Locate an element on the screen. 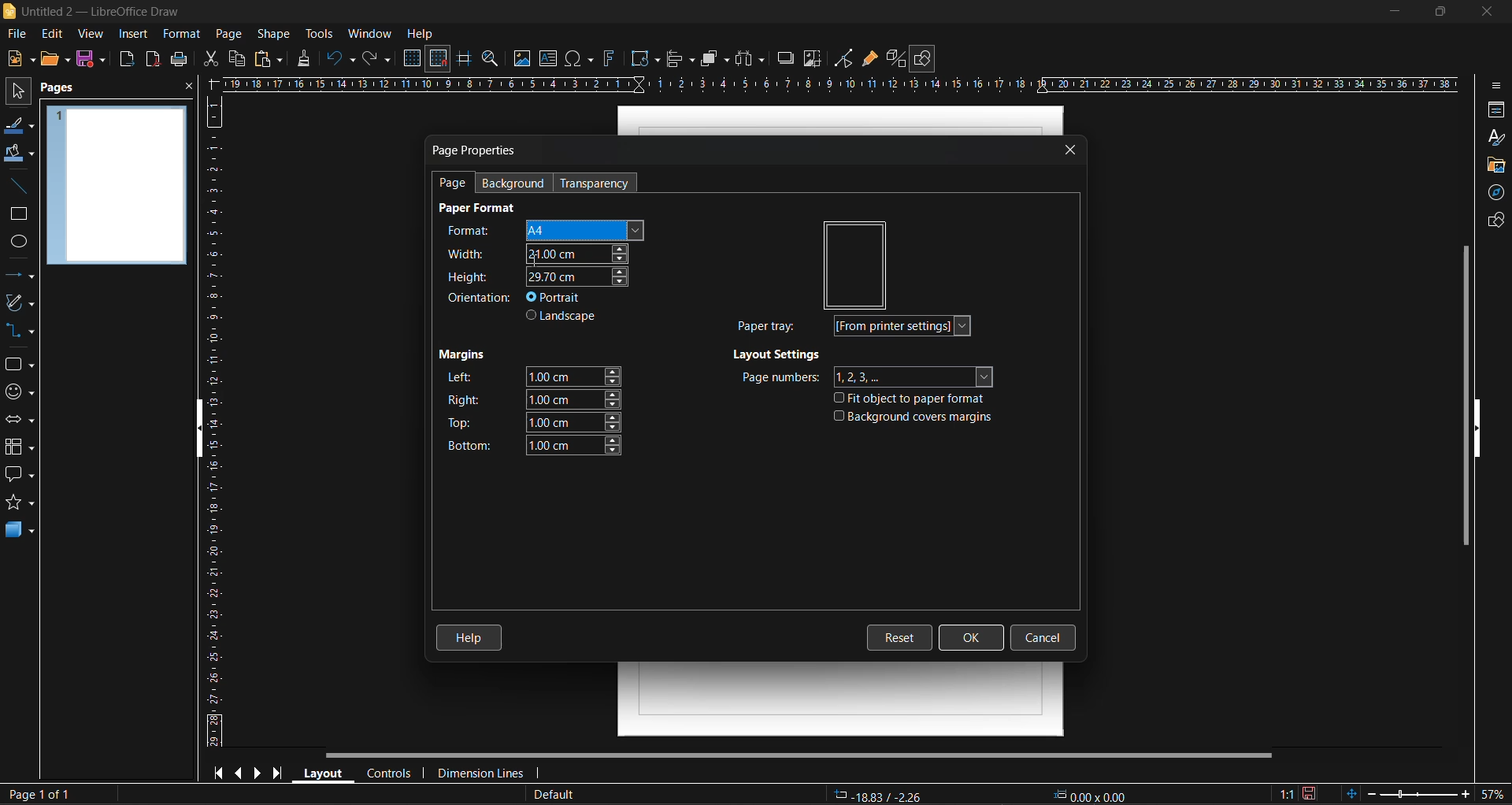 This screenshot has width=1512, height=805. first  is located at coordinates (220, 774).